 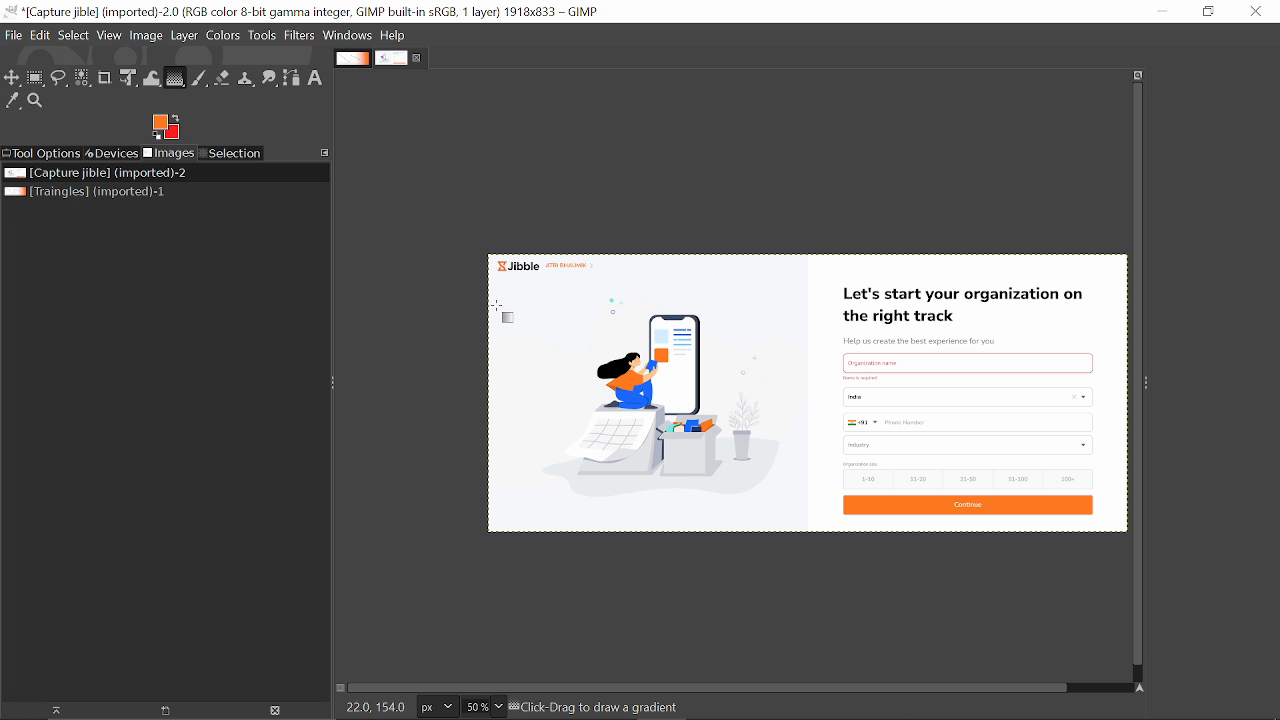 I want to click on Rectangular tool, so click(x=37, y=80).